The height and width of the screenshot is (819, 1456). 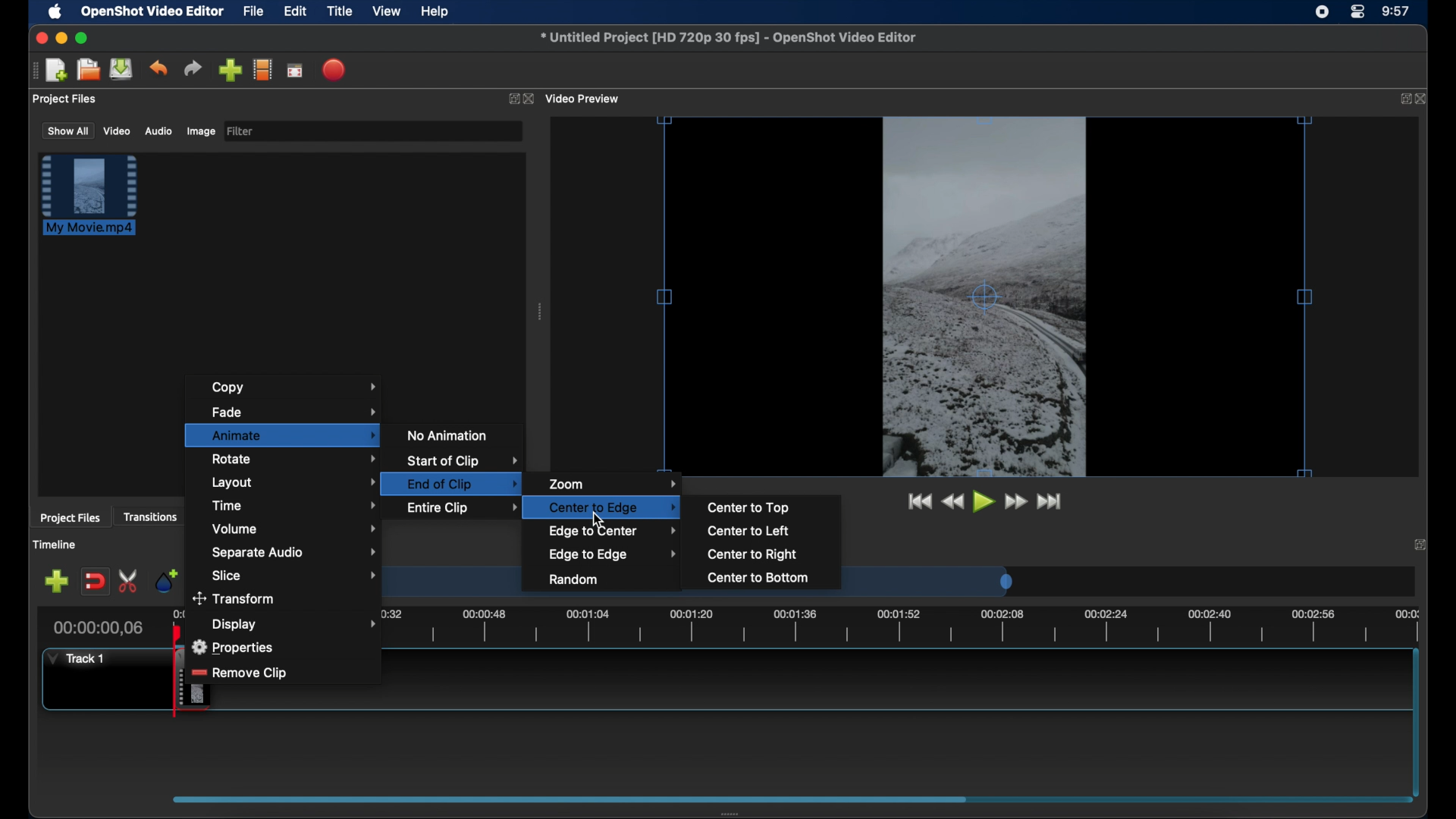 What do you see at coordinates (200, 133) in the screenshot?
I see `image` at bounding box center [200, 133].